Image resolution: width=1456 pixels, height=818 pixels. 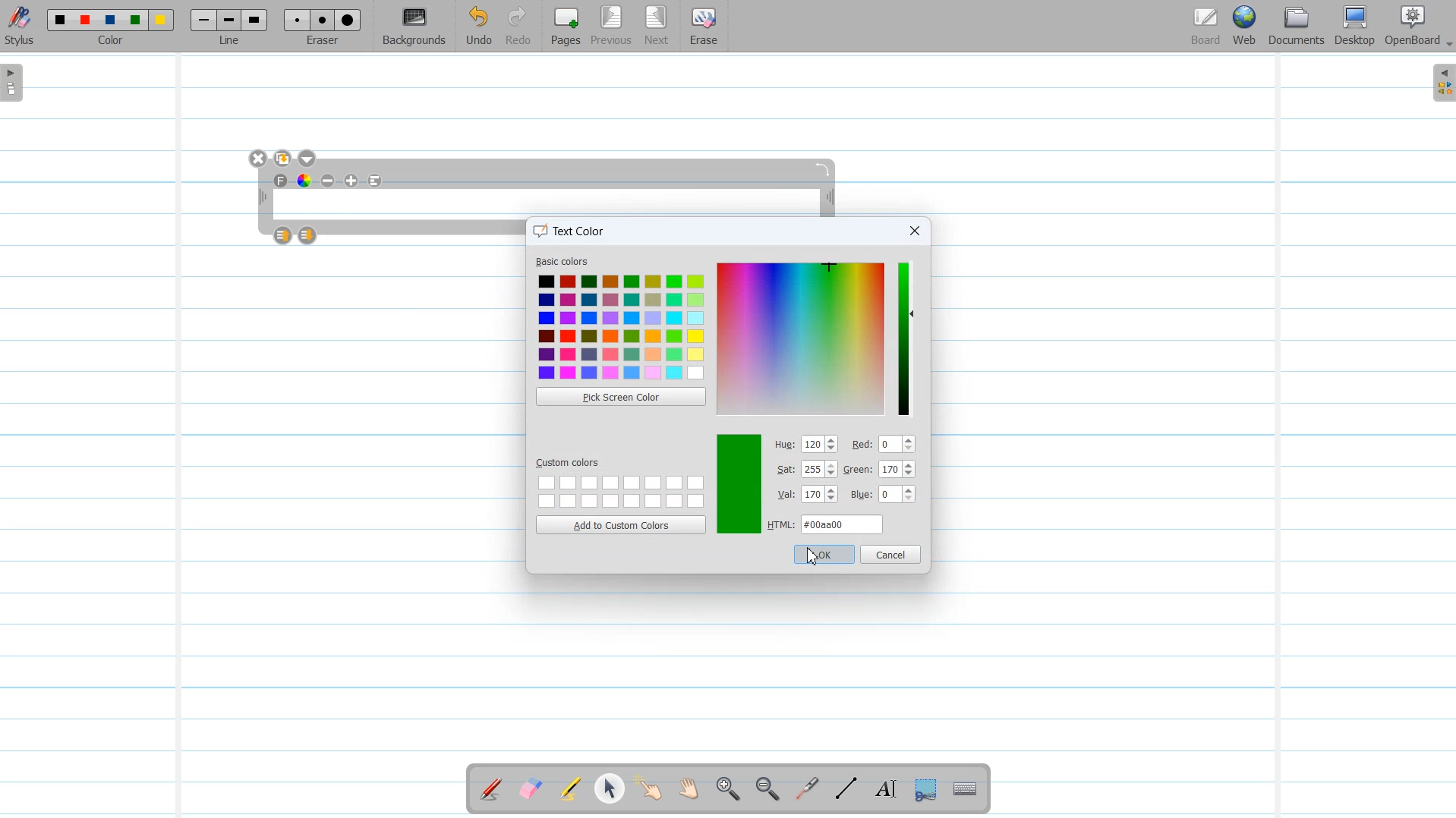 I want to click on Color Code HTML, so click(x=826, y=524).